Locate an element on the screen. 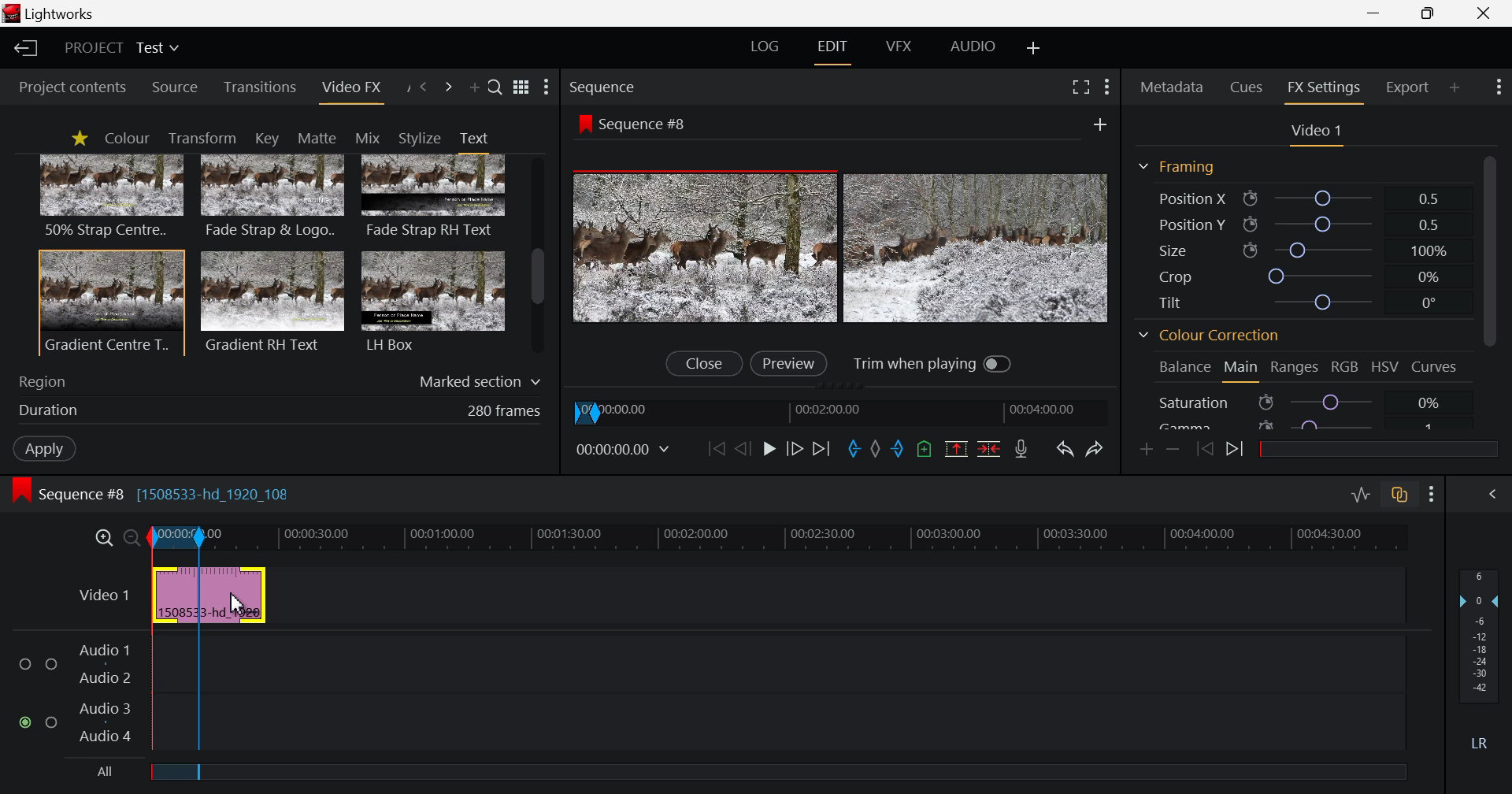 The height and width of the screenshot is (794, 1512). Transform is located at coordinates (206, 139).